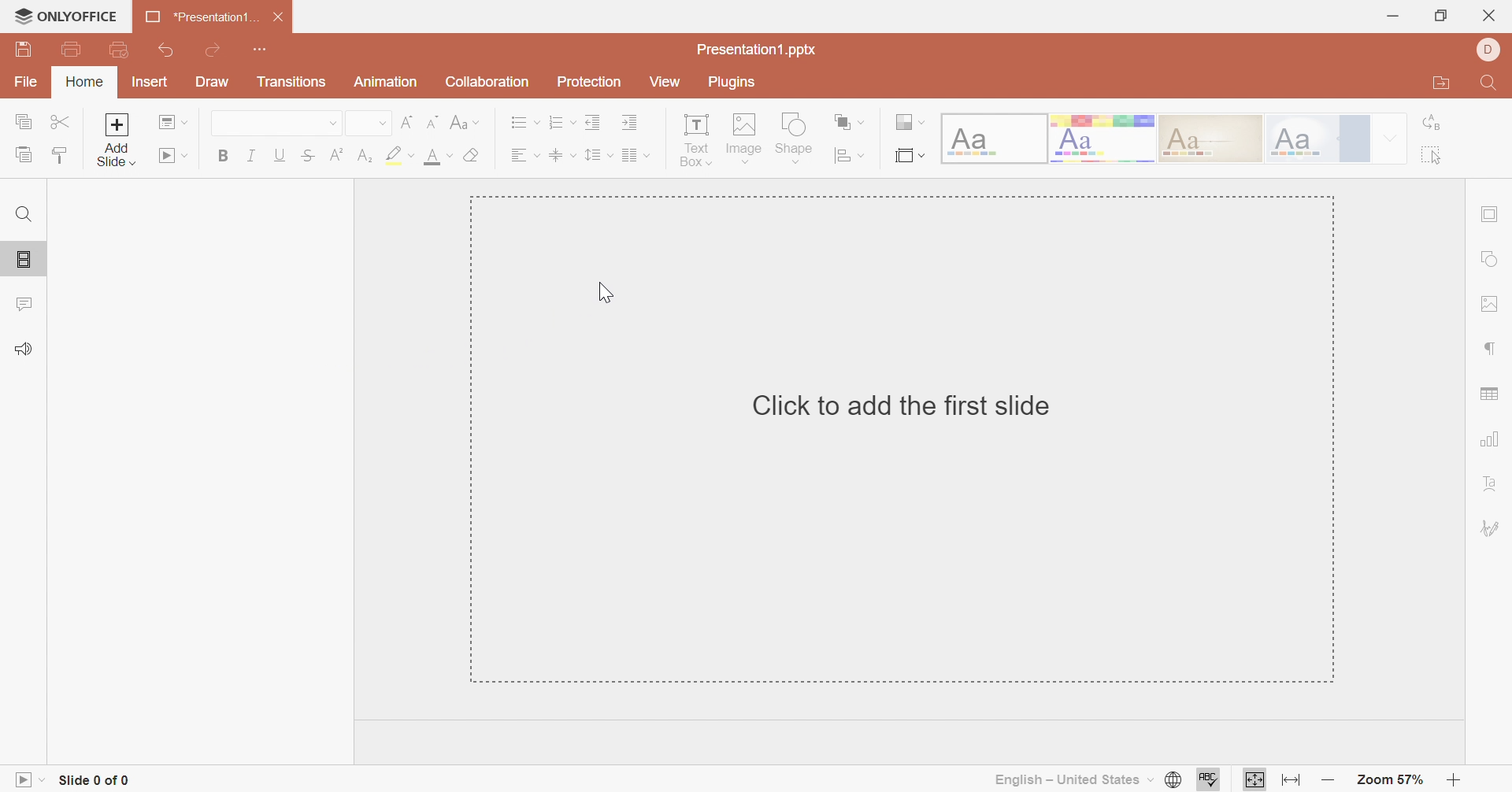 This screenshot has width=1512, height=792. Describe the element at coordinates (69, 47) in the screenshot. I see `Print` at that location.